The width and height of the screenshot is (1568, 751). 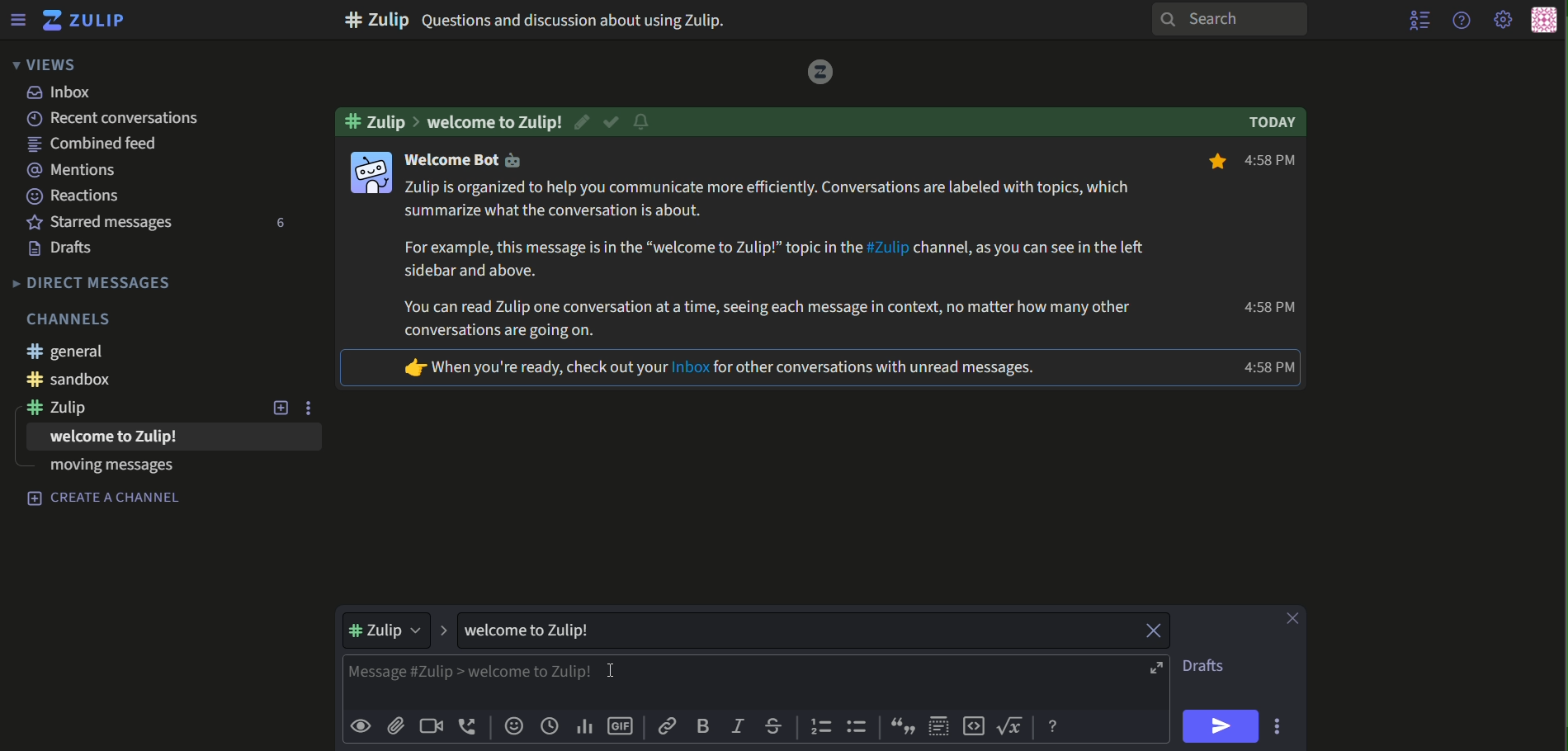 What do you see at coordinates (430, 725) in the screenshot?
I see `add video call` at bounding box center [430, 725].